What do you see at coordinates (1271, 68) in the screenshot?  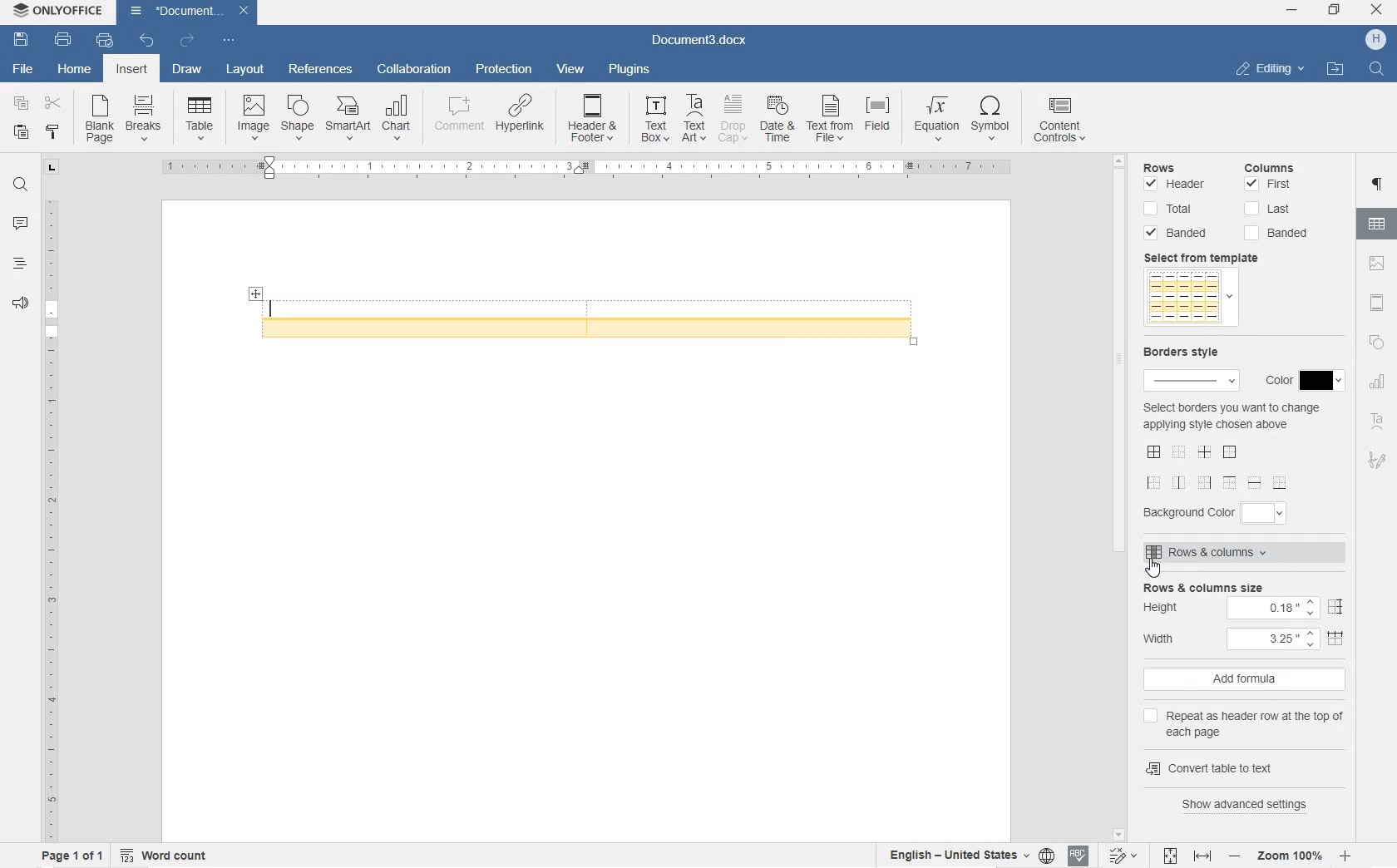 I see `editing` at bounding box center [1271, 68].